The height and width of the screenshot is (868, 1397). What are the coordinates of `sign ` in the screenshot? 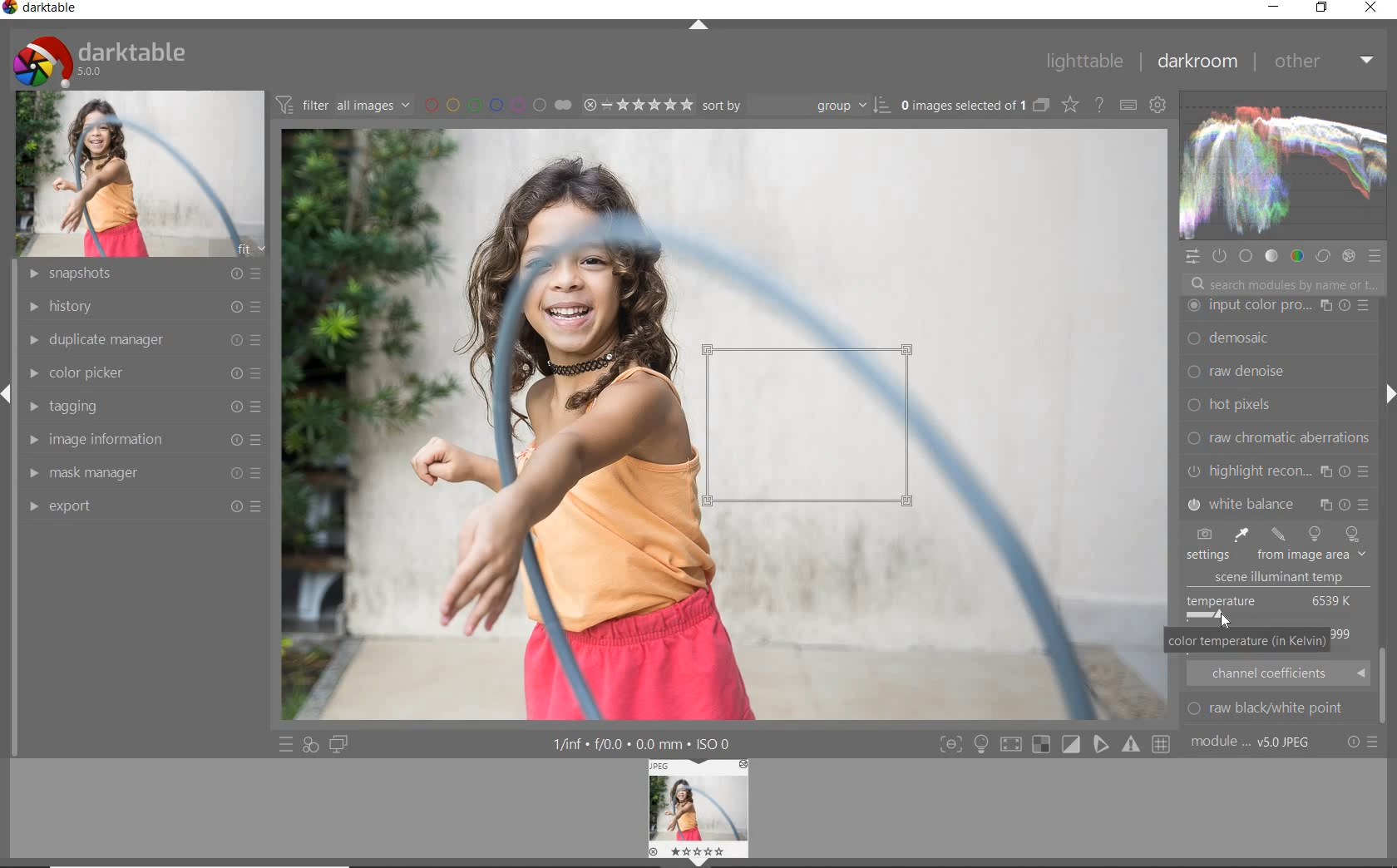 It's located at (980, 744).